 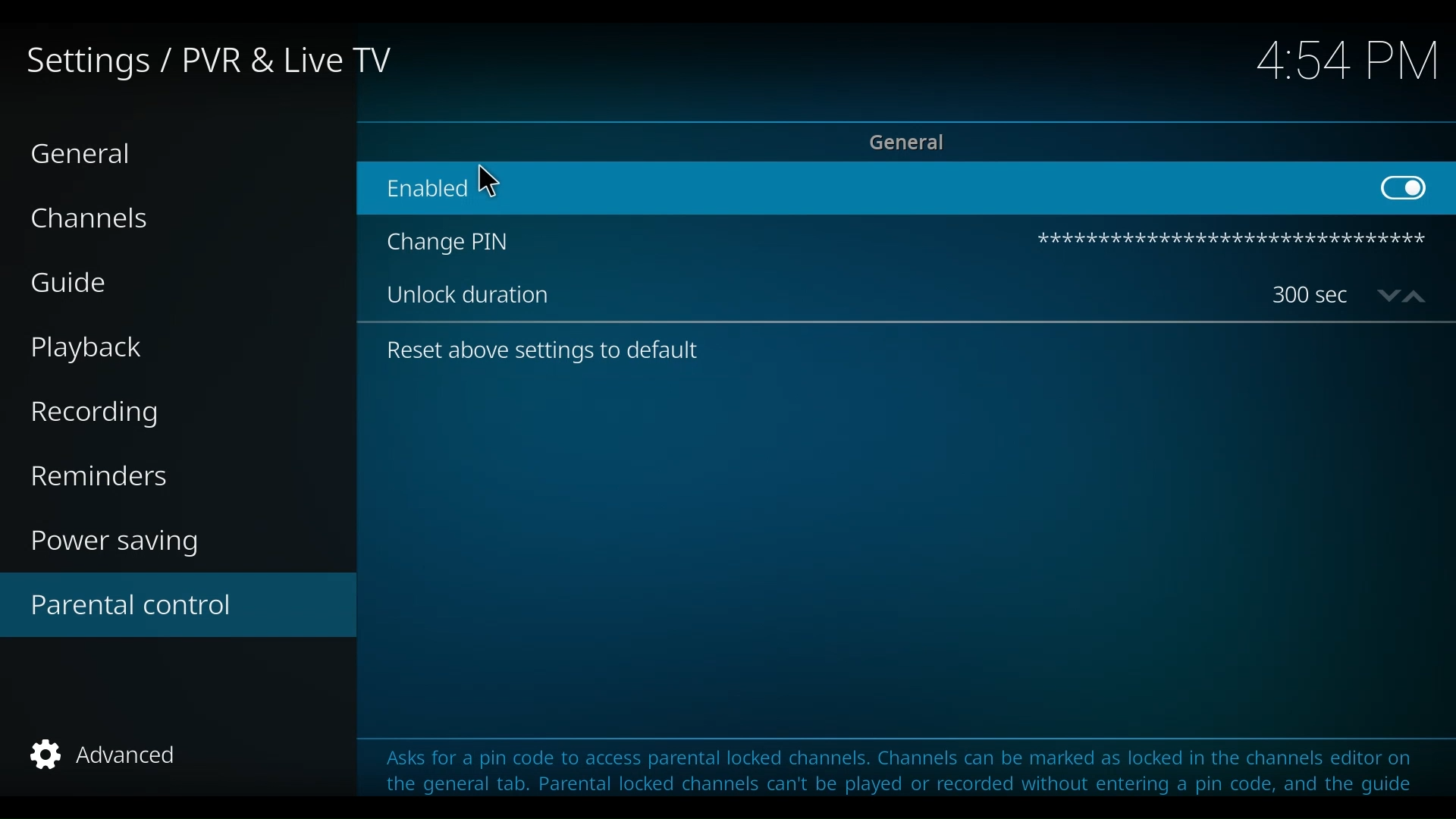 What do you see at coordinates (1340, 62) in the screenshot?
I see `time` at bounding box center [1340, 62].